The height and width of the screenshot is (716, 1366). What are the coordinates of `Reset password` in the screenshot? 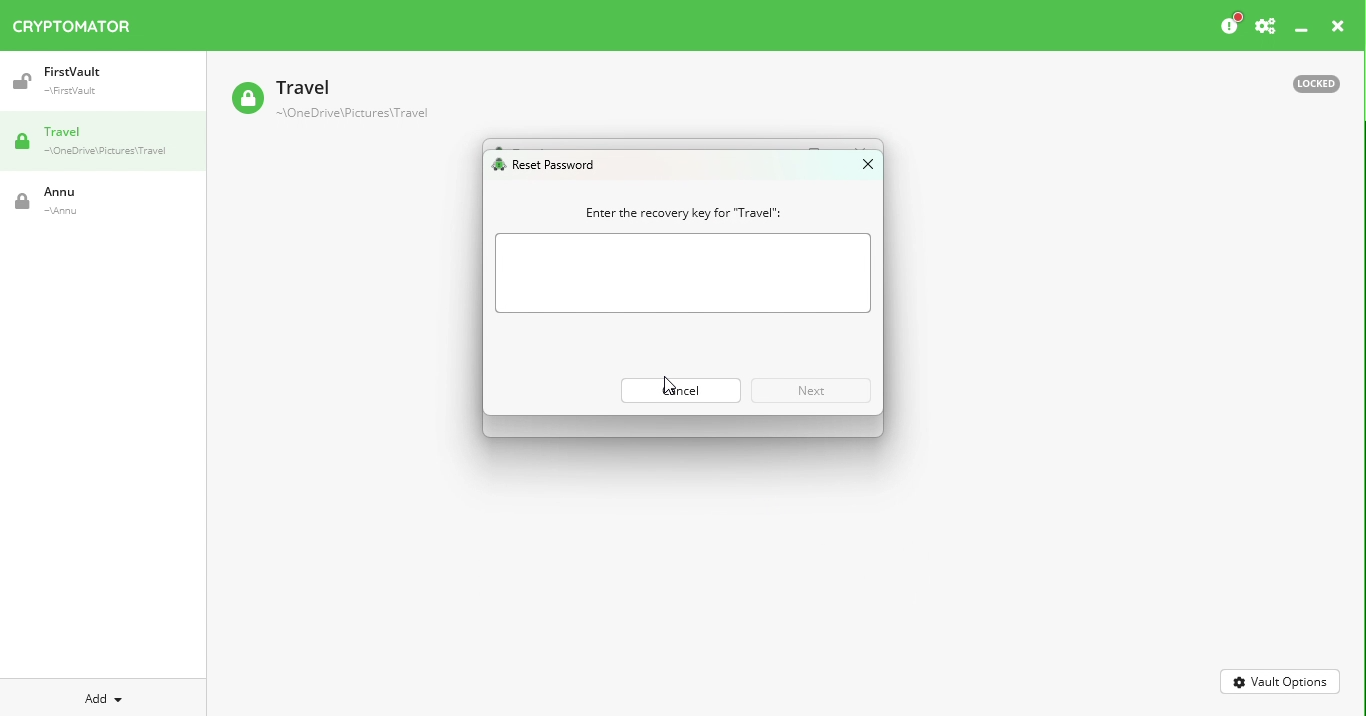 It's located at (549, 166).